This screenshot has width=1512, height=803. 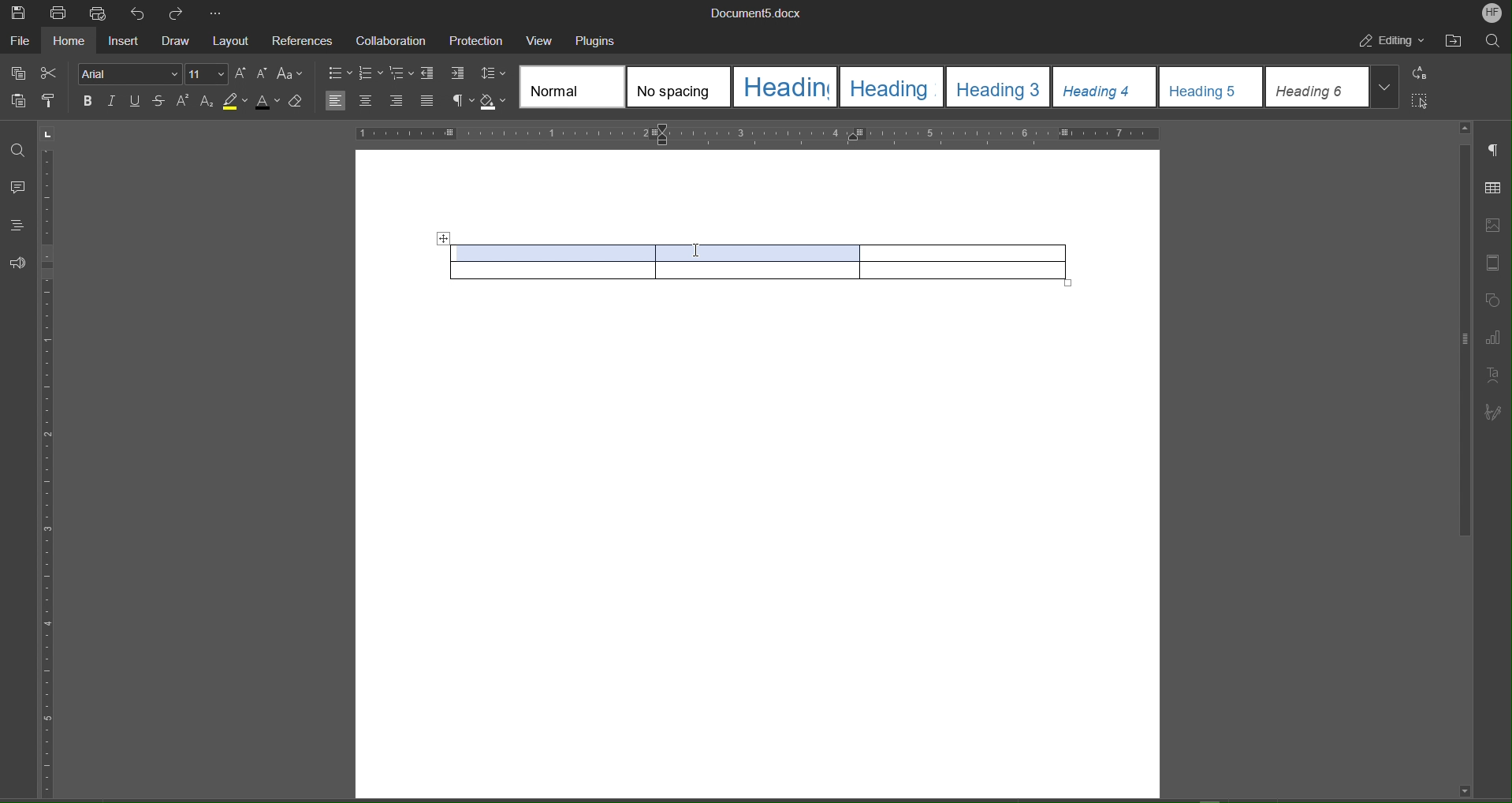 What do you see at coordinates (58, 13) in the screenshot?
I see `Print` at bounding box center [58, 13].